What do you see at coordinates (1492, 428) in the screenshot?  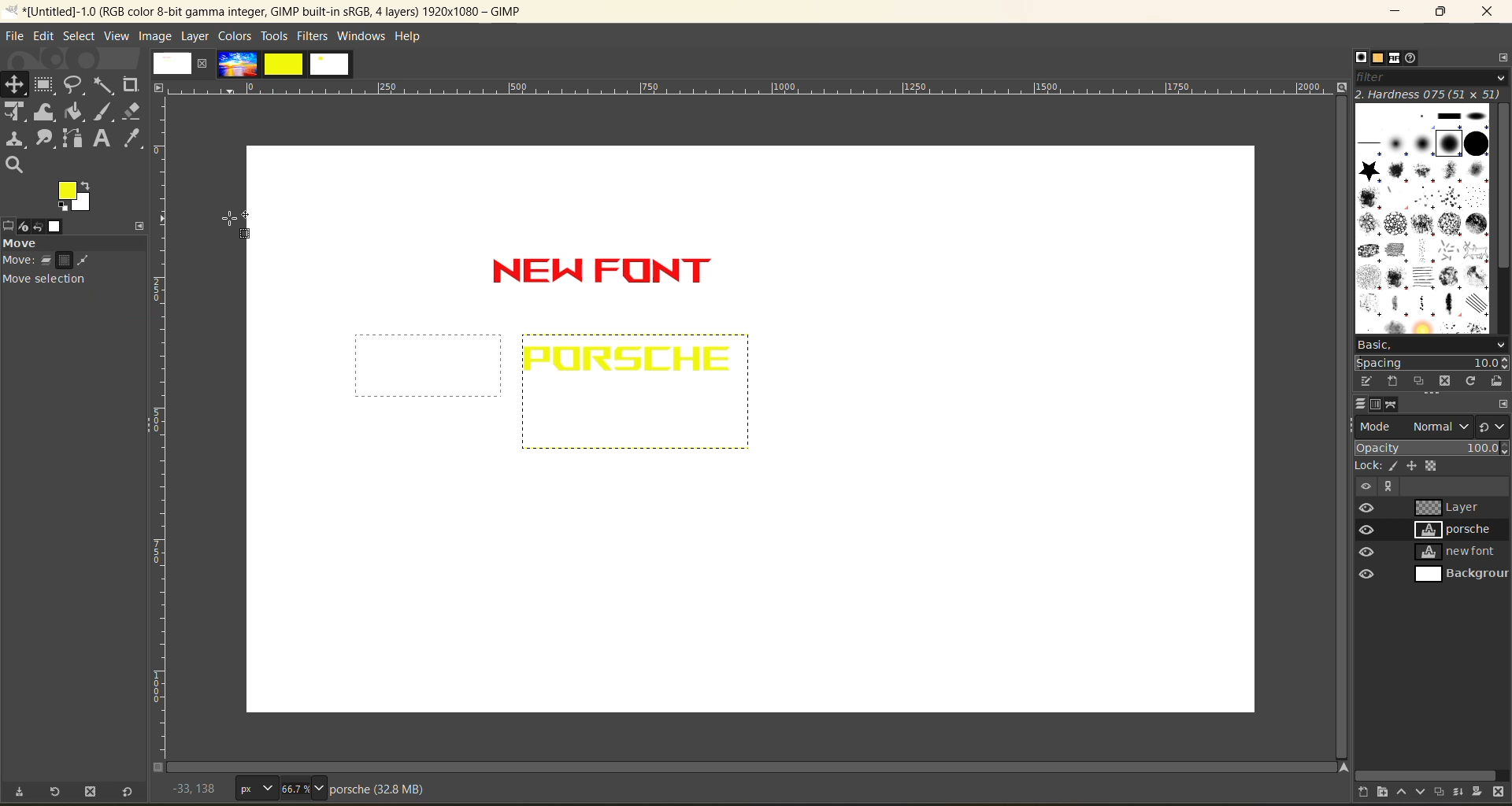 I see `switch to another group` at bounding box center [1492, 428].